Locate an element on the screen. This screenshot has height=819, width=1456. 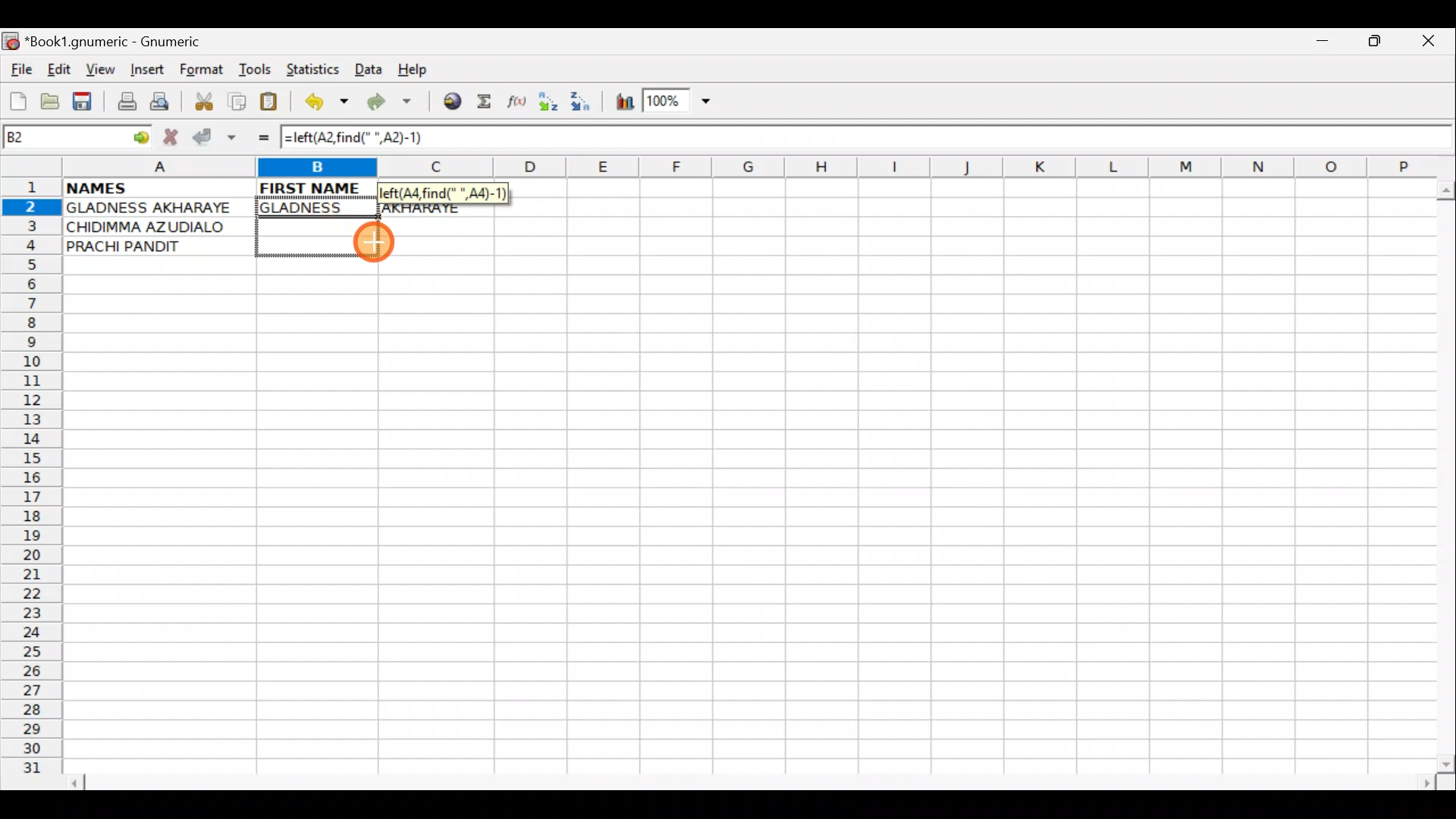
PRACHI PANDIT is located at coordinates (149, 246).